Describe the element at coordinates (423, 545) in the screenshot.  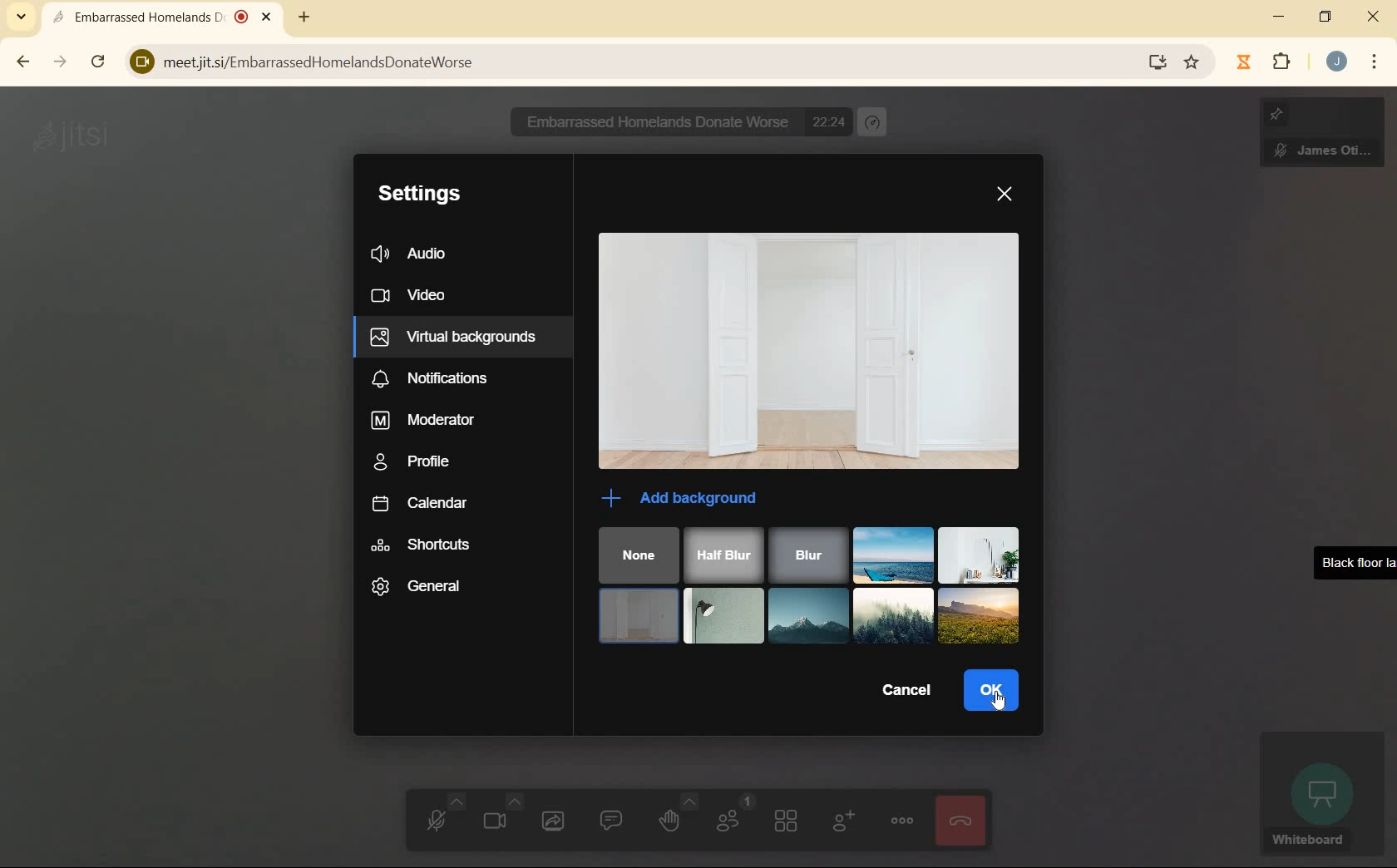
I see `shortcuts` at that location.